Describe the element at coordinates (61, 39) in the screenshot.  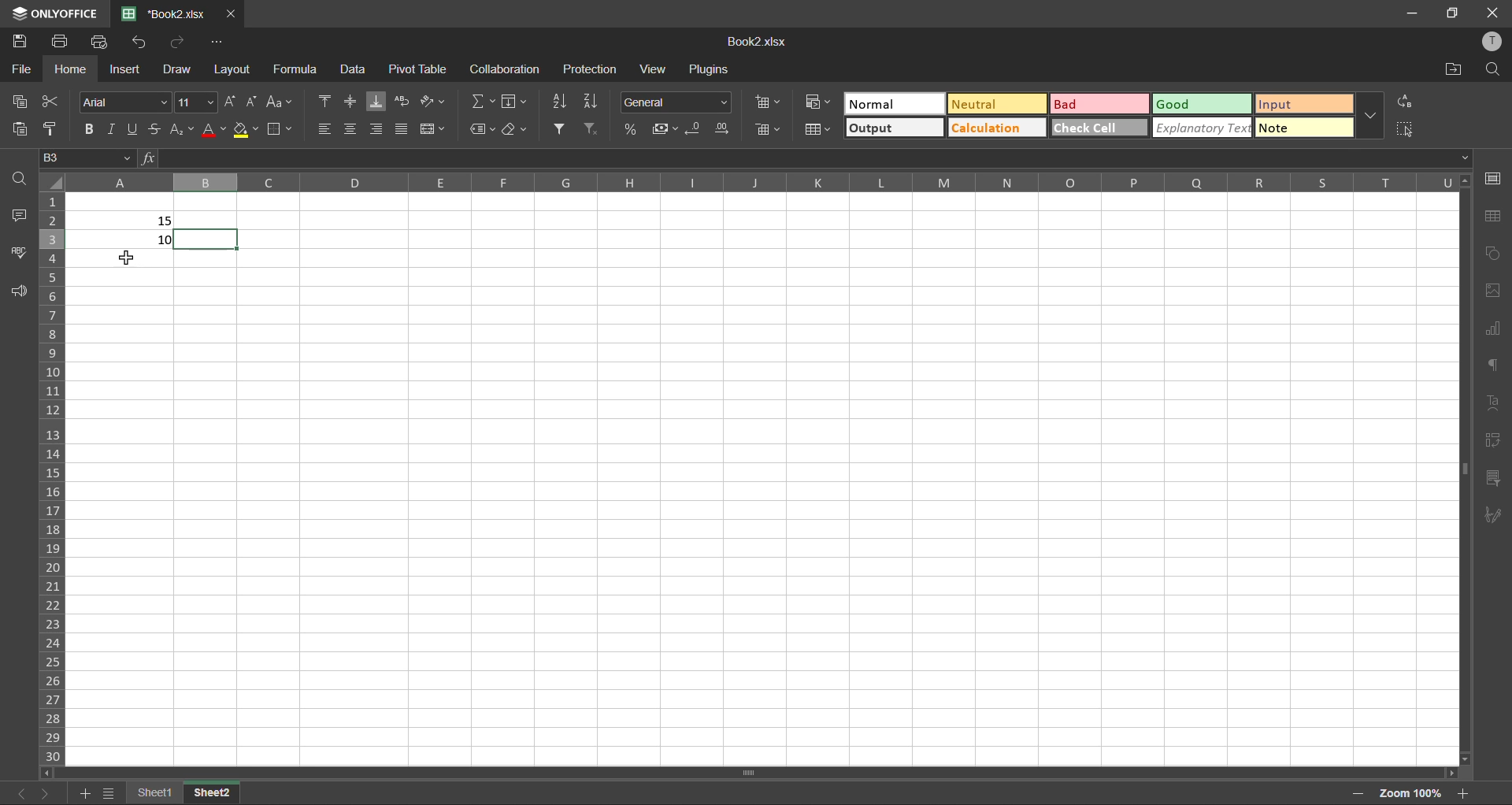
I see `print` at that location.